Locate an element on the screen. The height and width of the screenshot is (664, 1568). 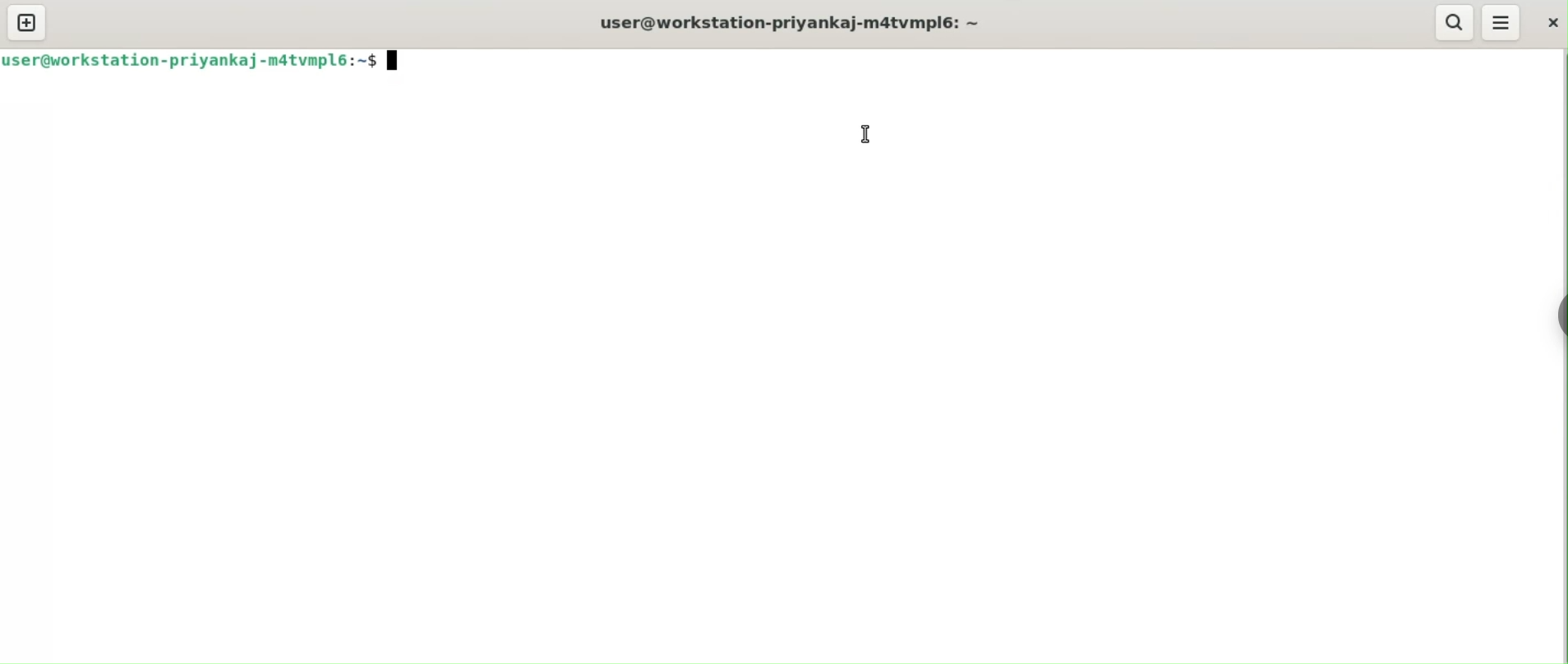
user@workstation-priyankaj-m4tvmpl6: ~ is located at coordinates (793, 22).